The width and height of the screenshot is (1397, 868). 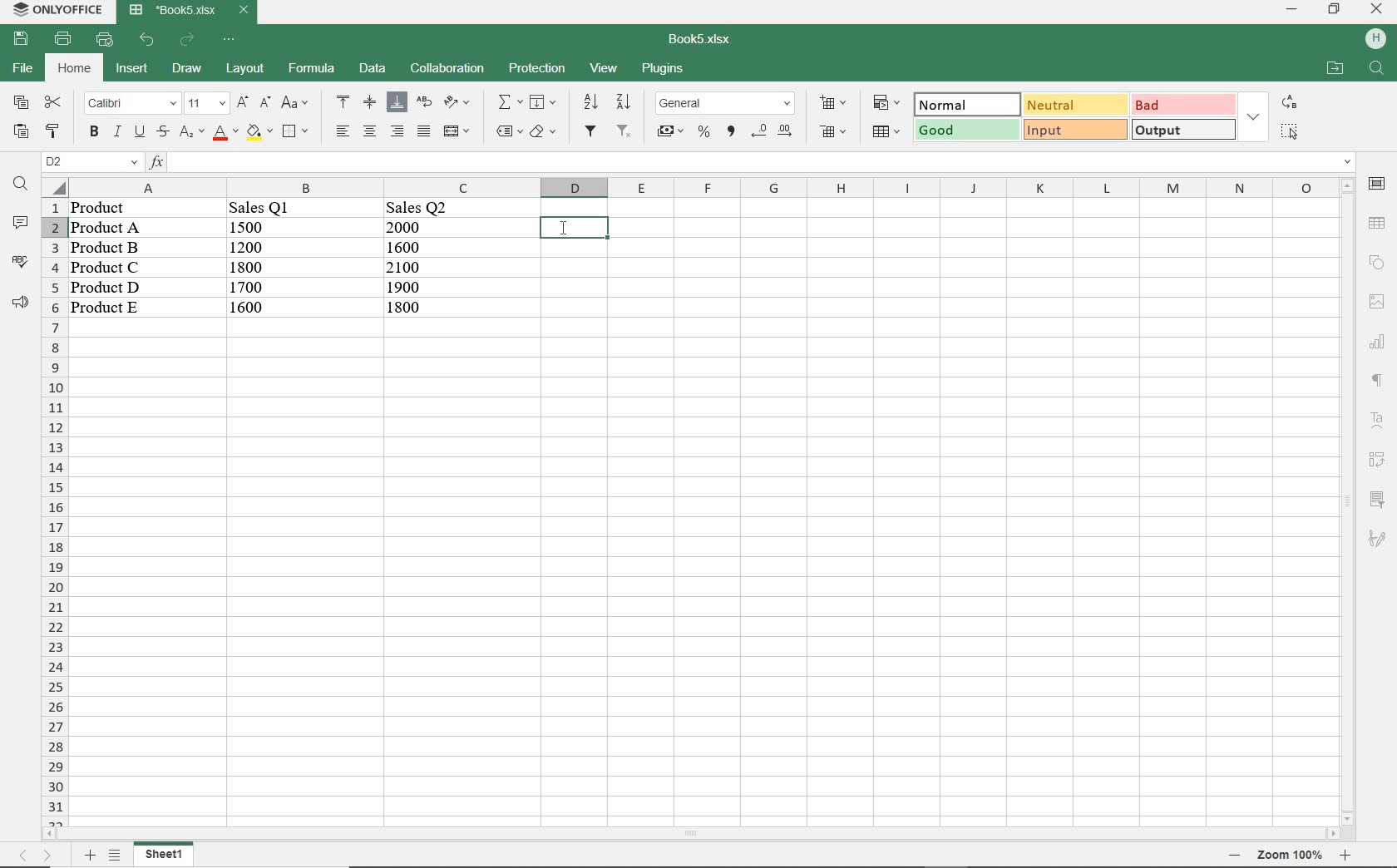 I want to click on named ranges, so click(x=507, y=131).